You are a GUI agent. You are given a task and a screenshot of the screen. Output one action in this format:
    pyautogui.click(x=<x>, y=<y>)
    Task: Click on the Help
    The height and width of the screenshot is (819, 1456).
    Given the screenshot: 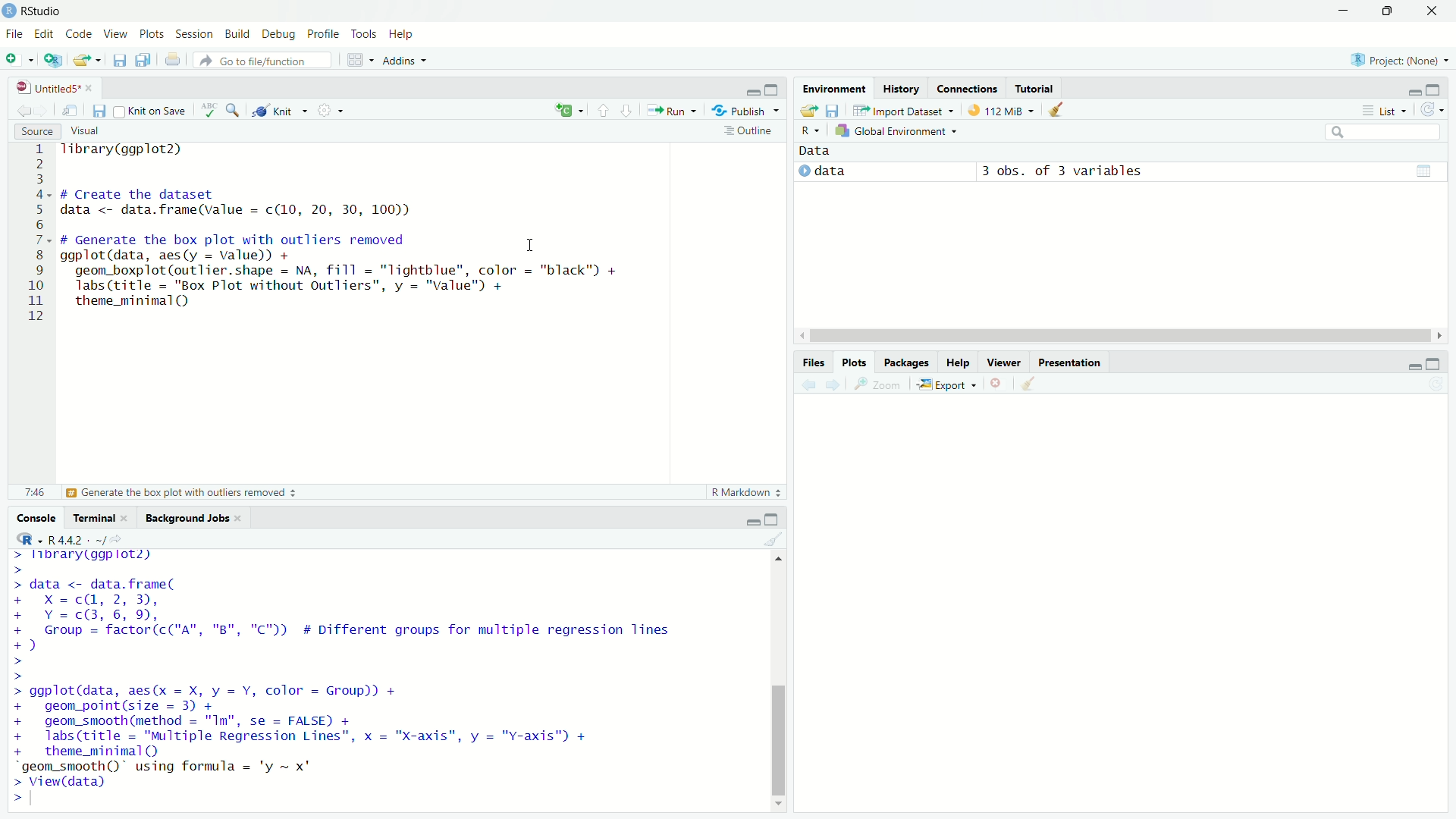 What is the action you would take?
    pyautogui.click(x=408, y=33)
    